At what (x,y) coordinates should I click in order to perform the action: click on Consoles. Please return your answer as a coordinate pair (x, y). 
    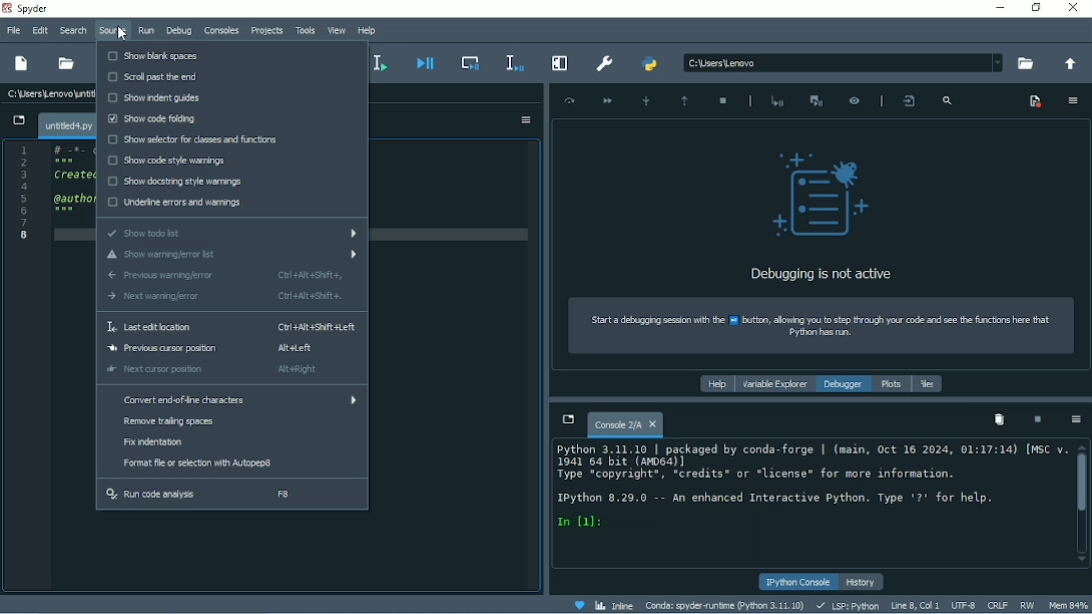
    Looking at the image, I should click on (219, 31).